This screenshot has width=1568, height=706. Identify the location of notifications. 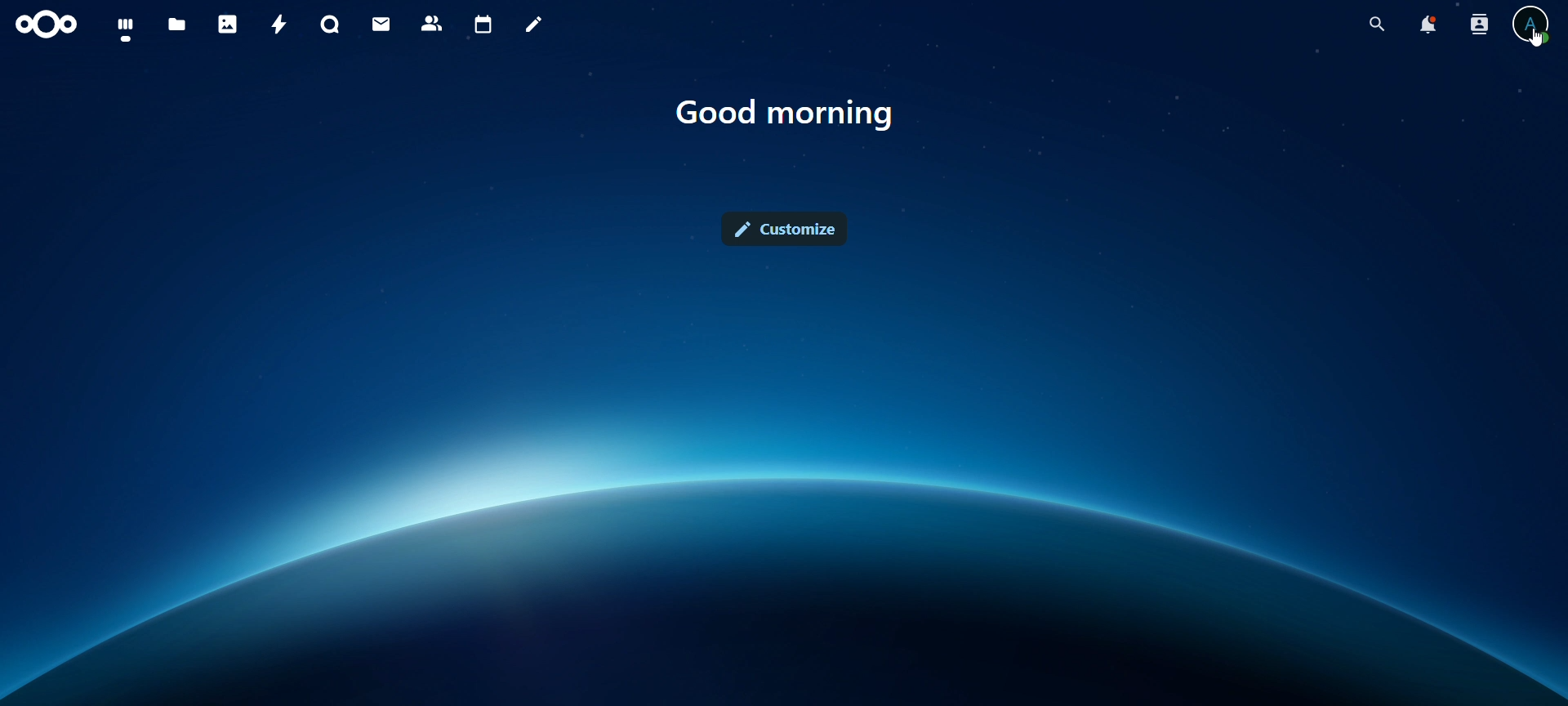
(1427, 25).